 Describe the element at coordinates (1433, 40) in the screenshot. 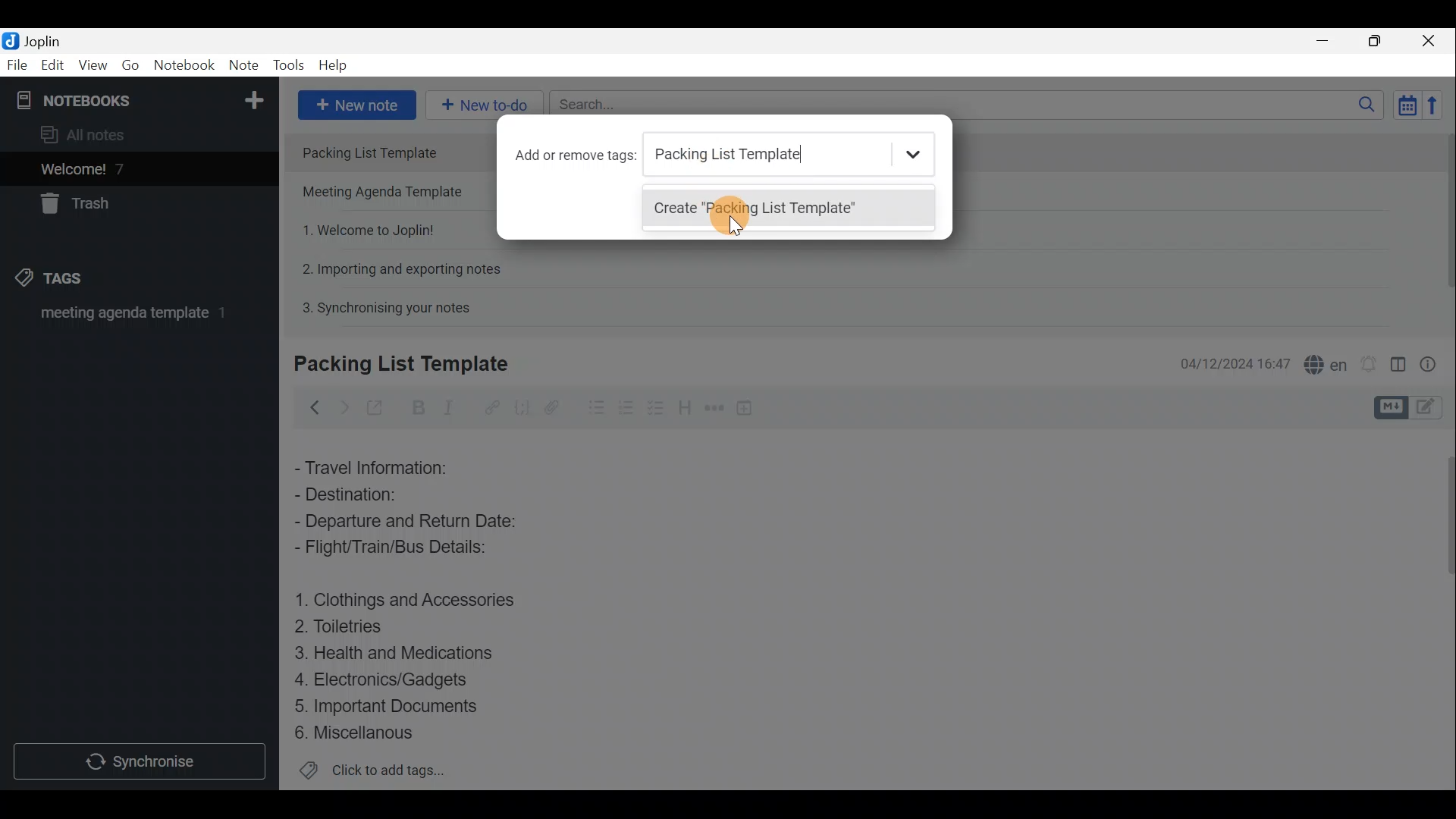

I see `Close` at that location.